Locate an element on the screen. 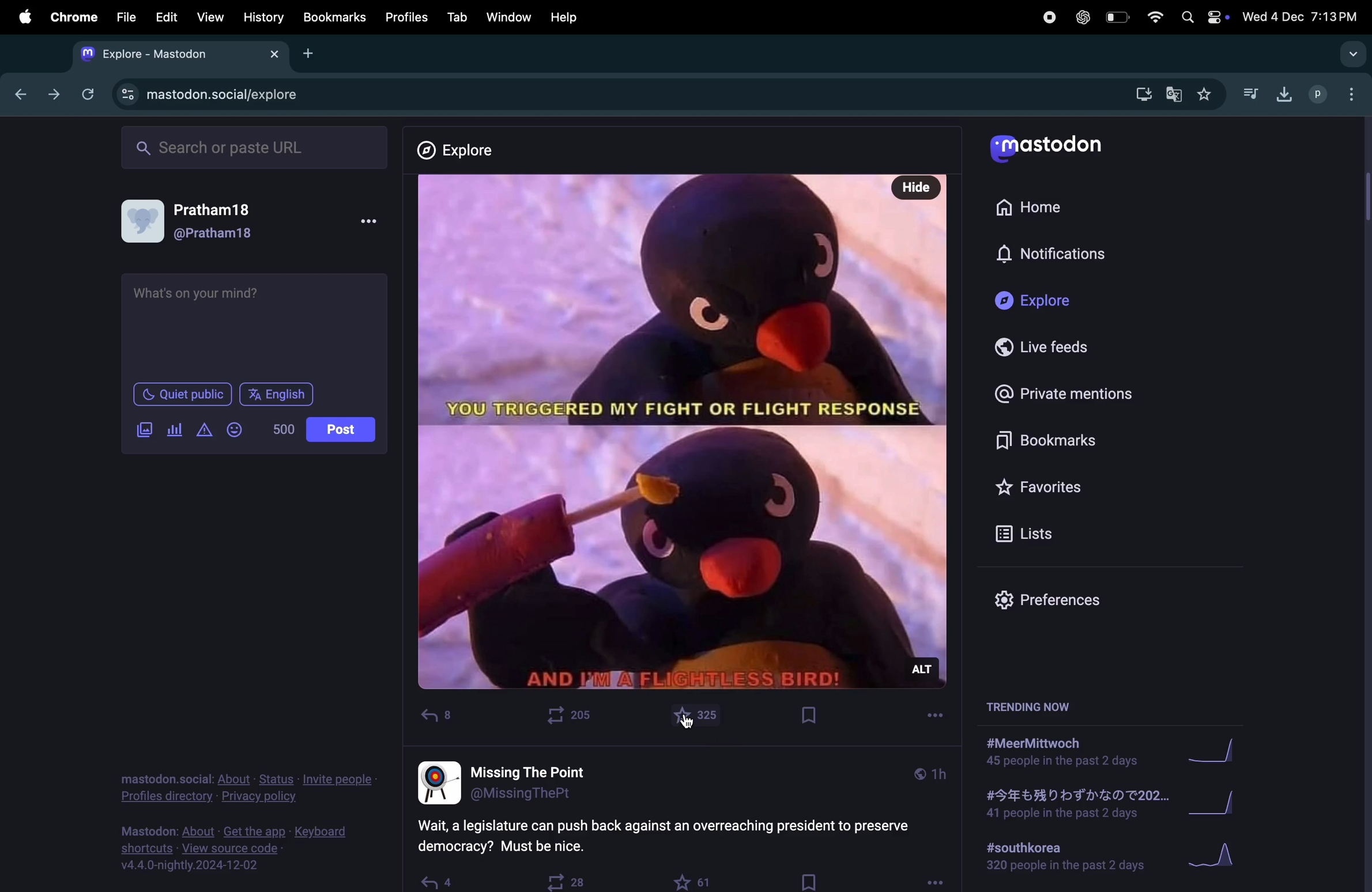 The width and height of the screenshot is (1372, 892). like is located at coordinates (698, 718).